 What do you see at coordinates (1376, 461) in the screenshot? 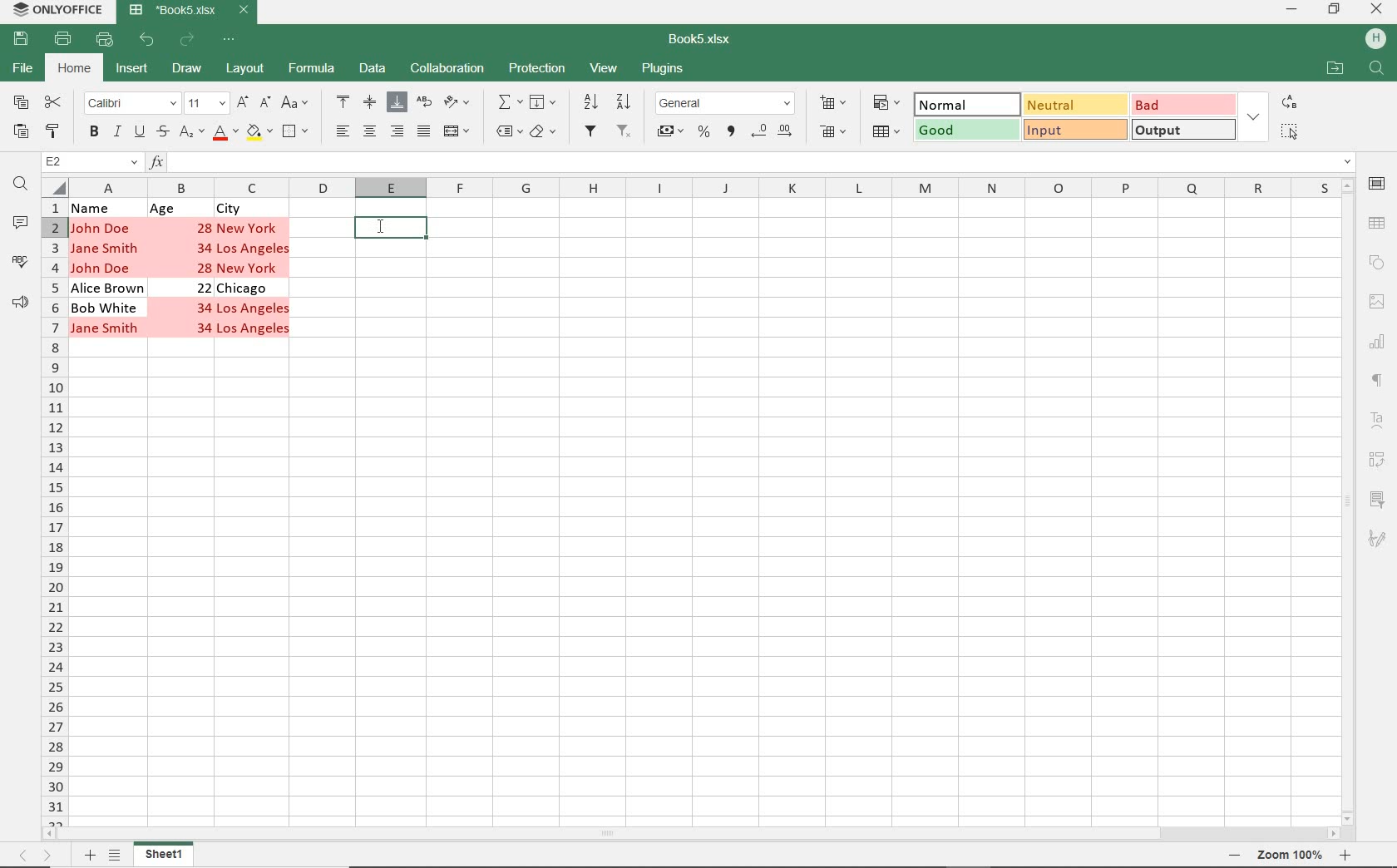
I see `PIVOT TABLE` at bounding box center [1376, 461].